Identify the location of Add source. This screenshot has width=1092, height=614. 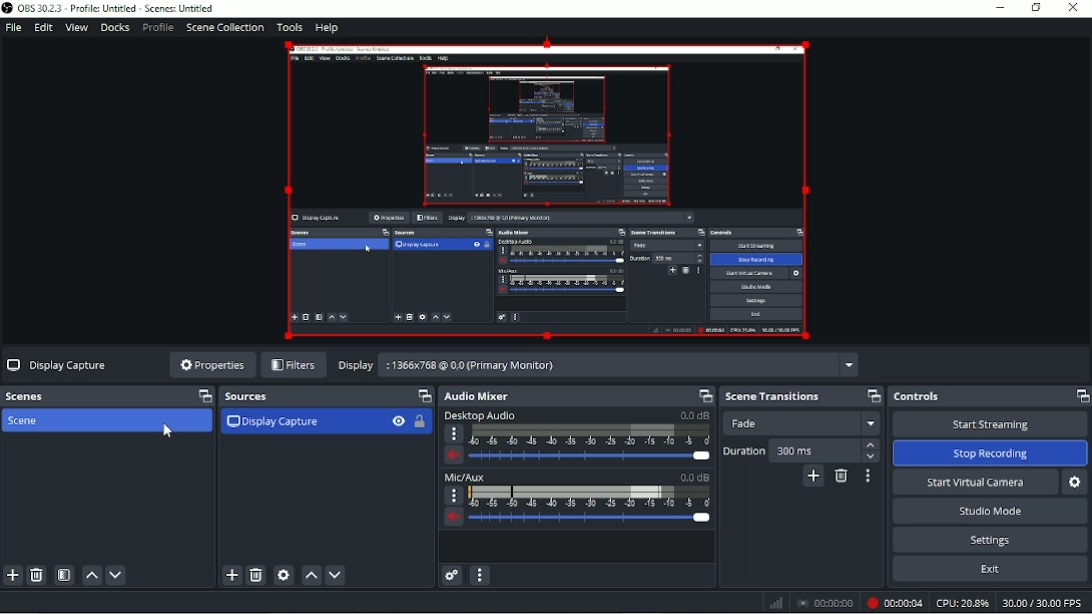
(232, 576).